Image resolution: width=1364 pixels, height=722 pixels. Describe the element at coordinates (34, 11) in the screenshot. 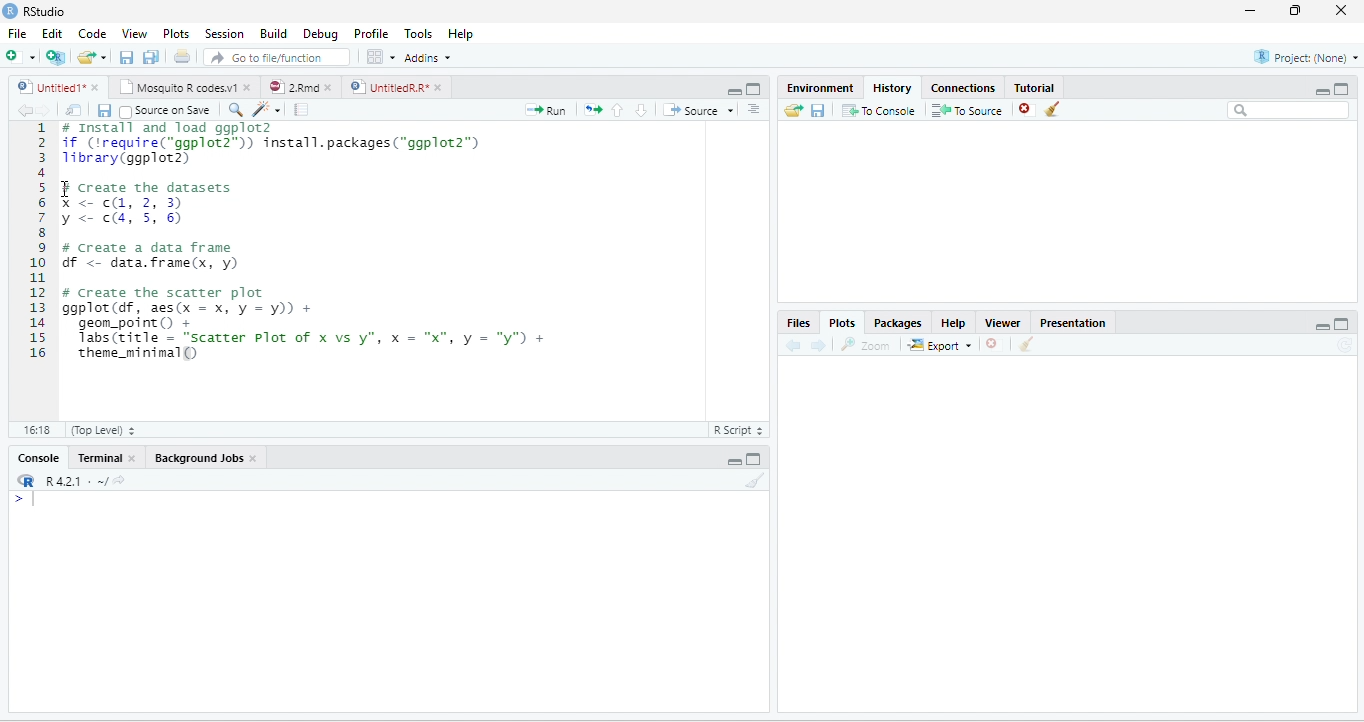

I see `RStudio` at that location.